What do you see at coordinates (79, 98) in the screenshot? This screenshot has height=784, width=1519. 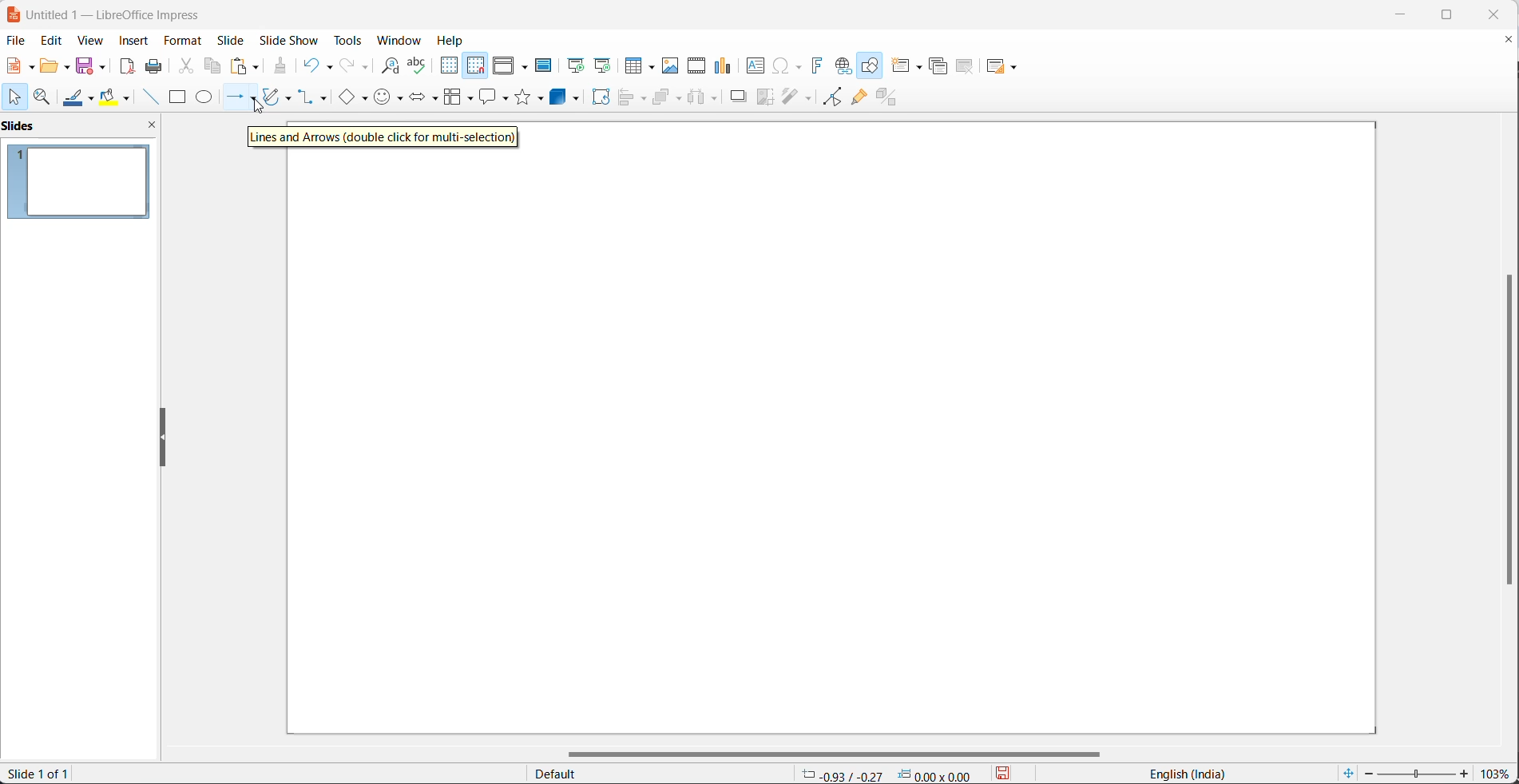 I see `line color` at bounding box center [79, 98].